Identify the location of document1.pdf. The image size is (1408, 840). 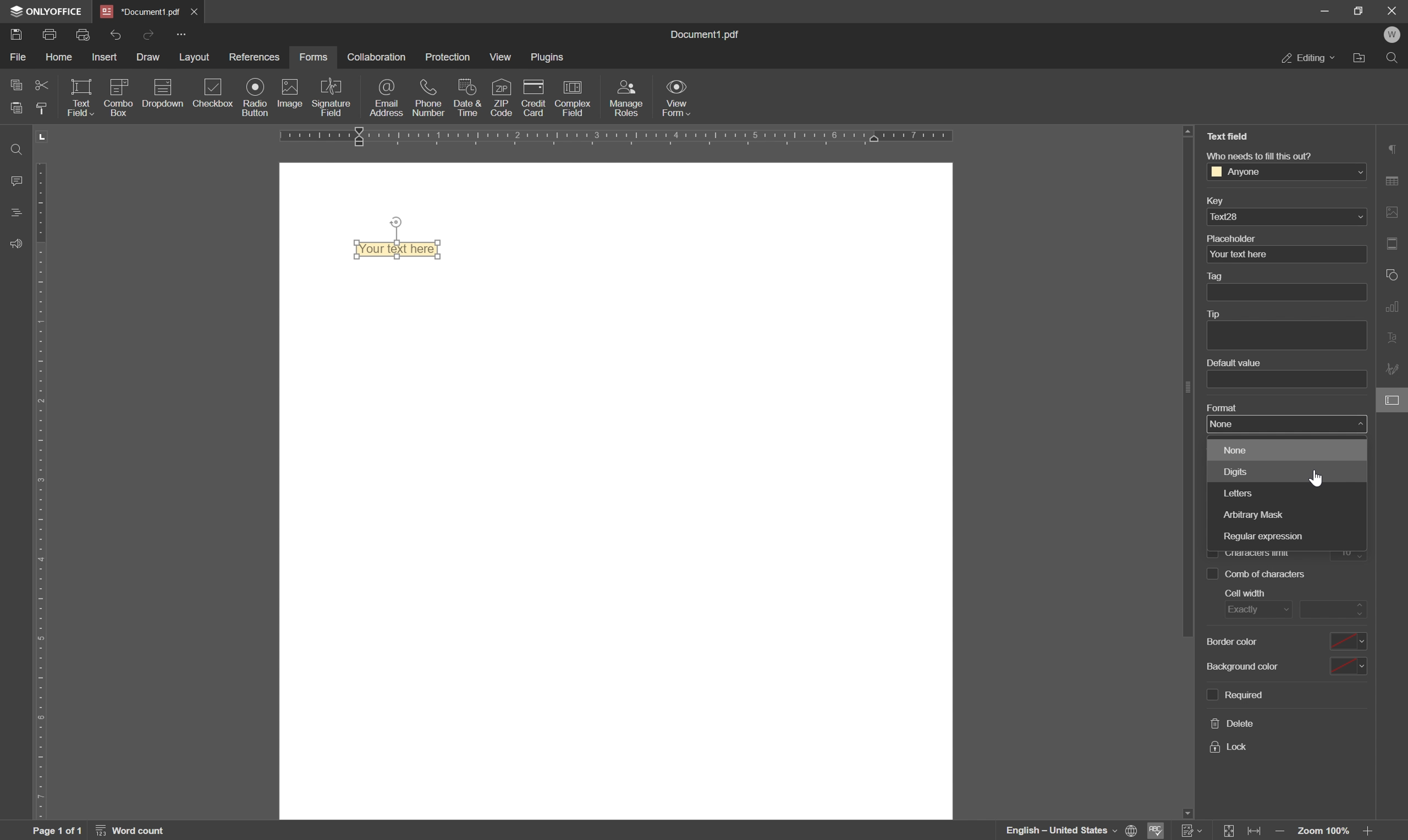
(699, 33).